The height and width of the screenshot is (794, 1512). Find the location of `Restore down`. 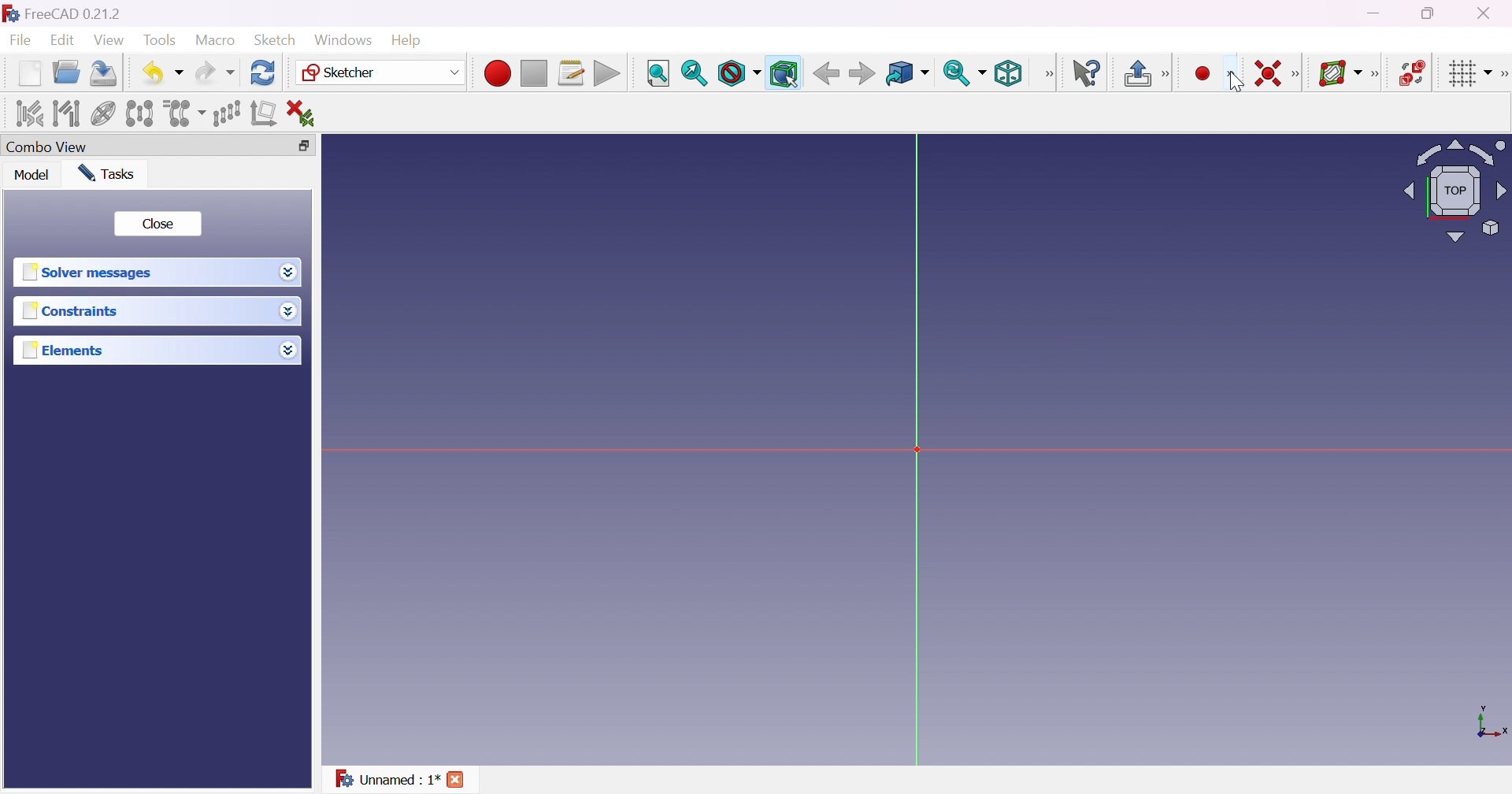

Restore down is located at coordinates (1429, 15).